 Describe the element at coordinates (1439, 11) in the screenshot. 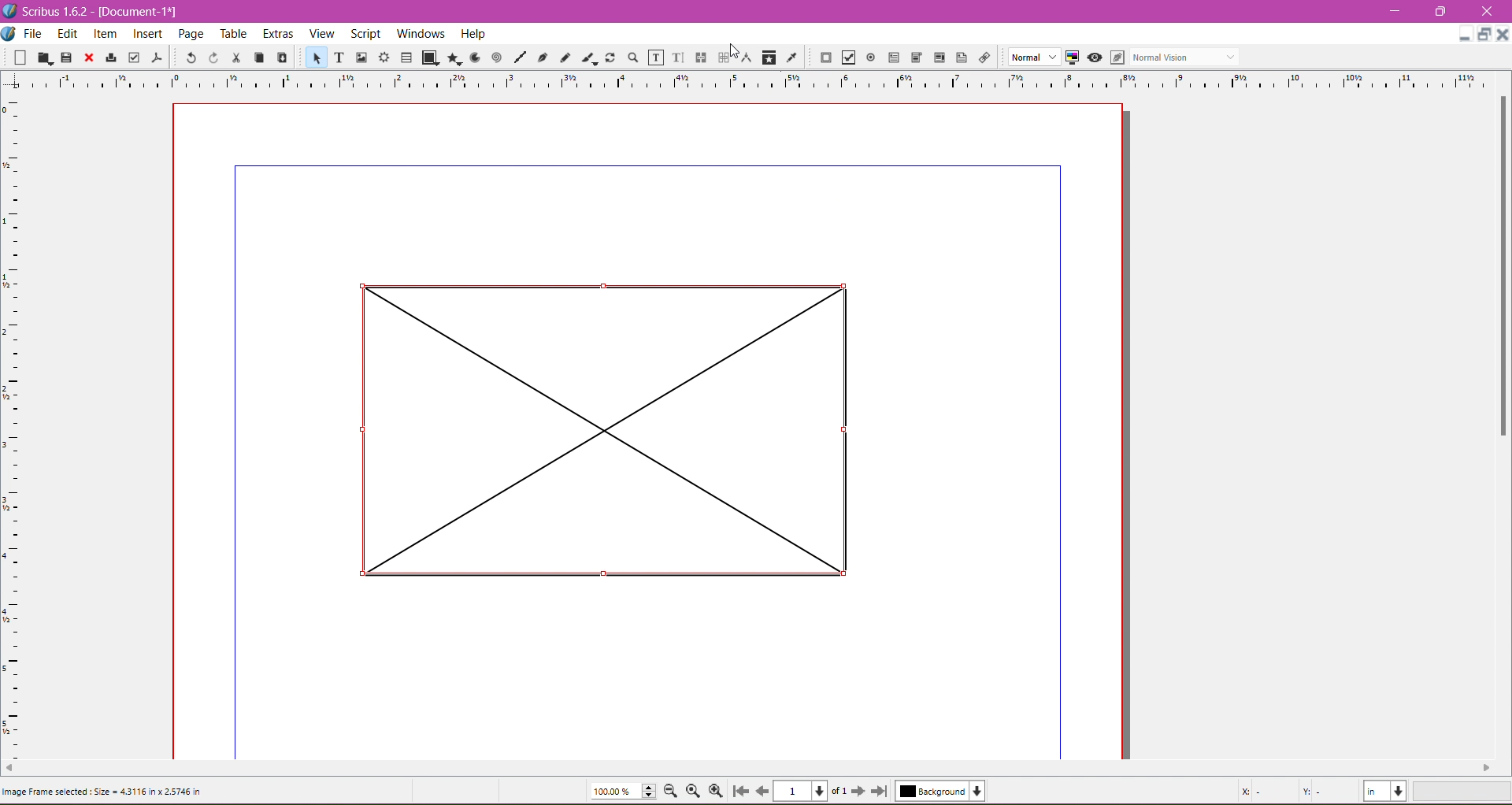

I see `Restore Down` at that location.